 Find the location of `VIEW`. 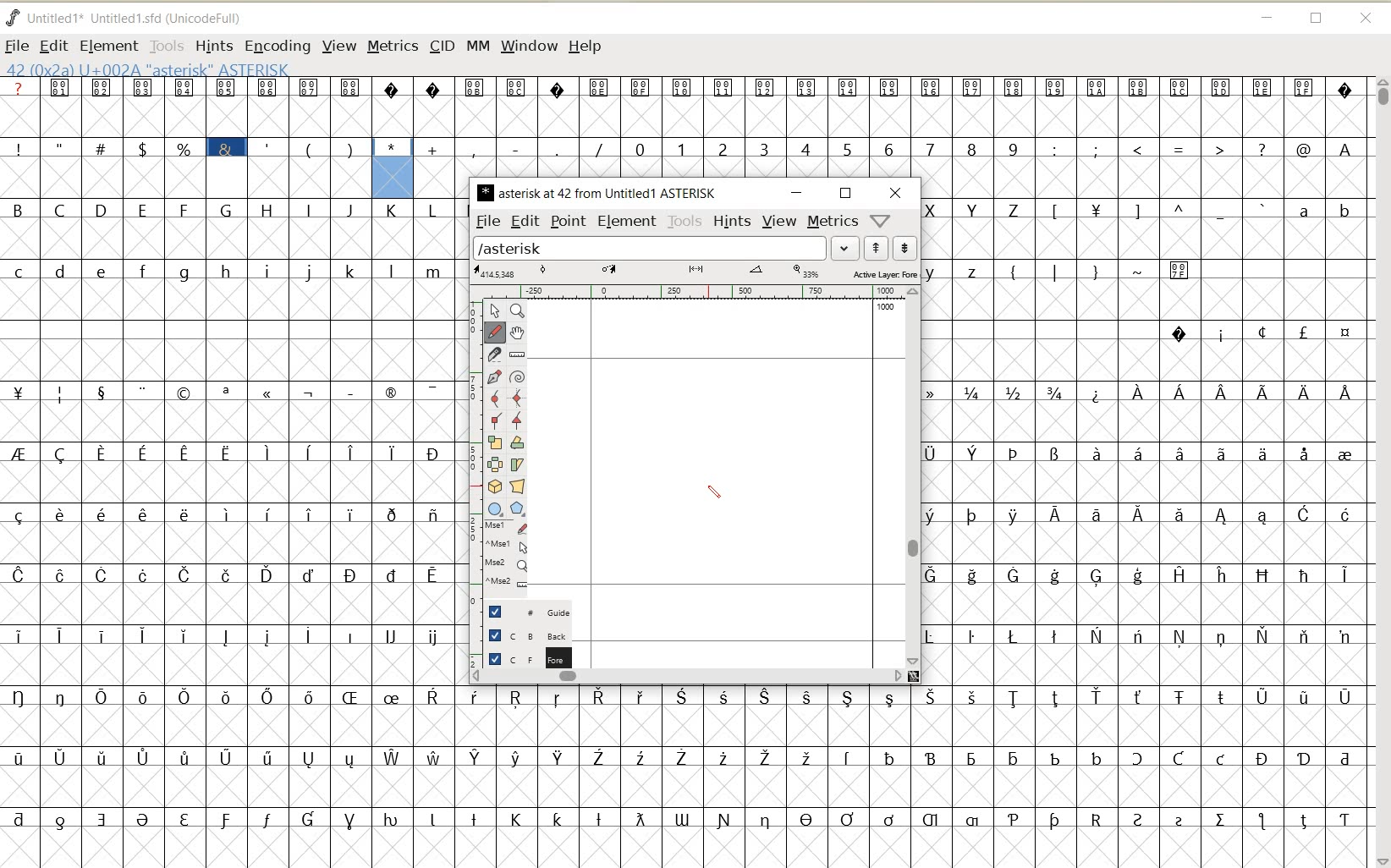

VIEW is located at coordinates (339, 47).